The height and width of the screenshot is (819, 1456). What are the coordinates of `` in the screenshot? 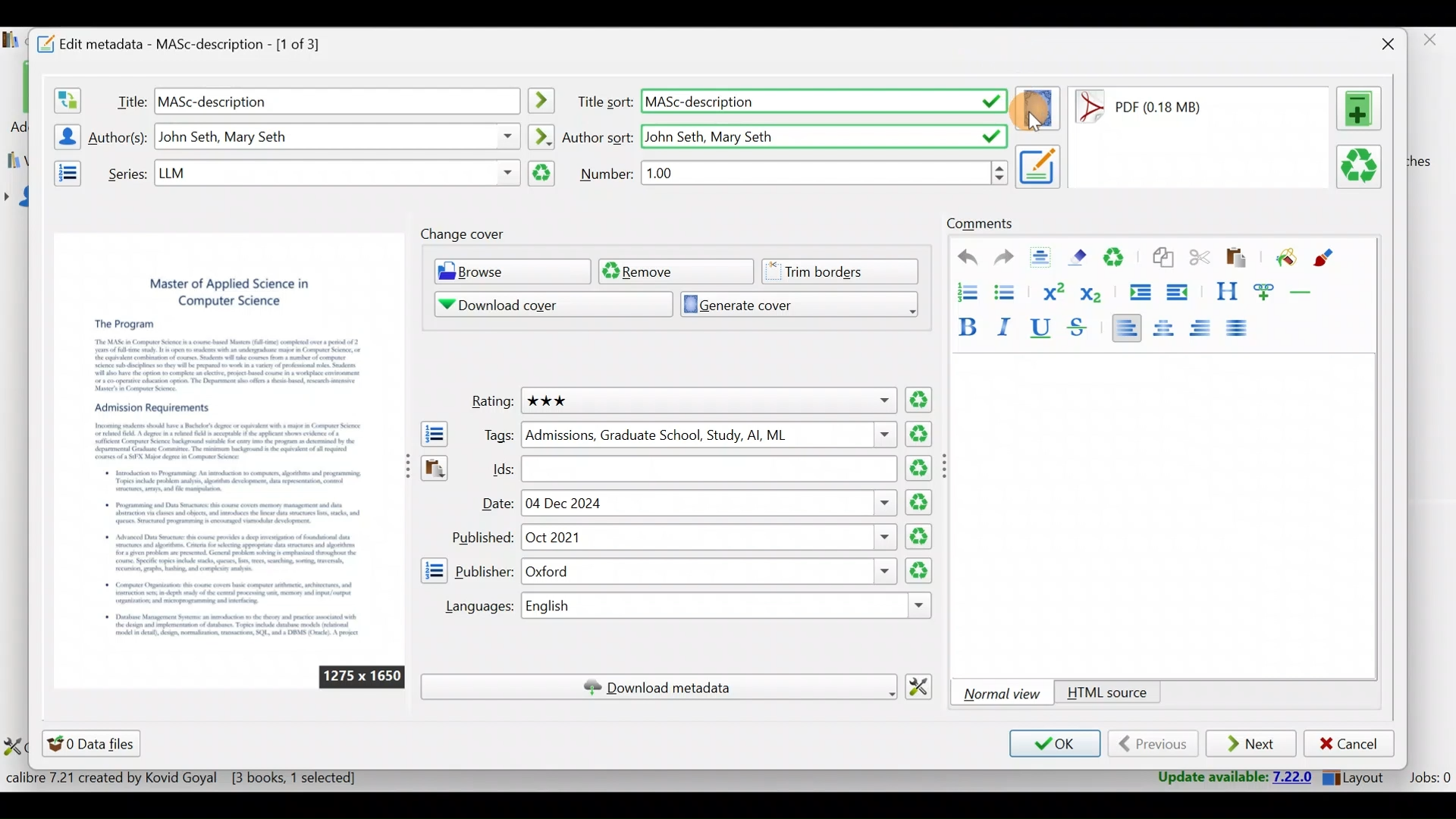 It's located at (826, 172).